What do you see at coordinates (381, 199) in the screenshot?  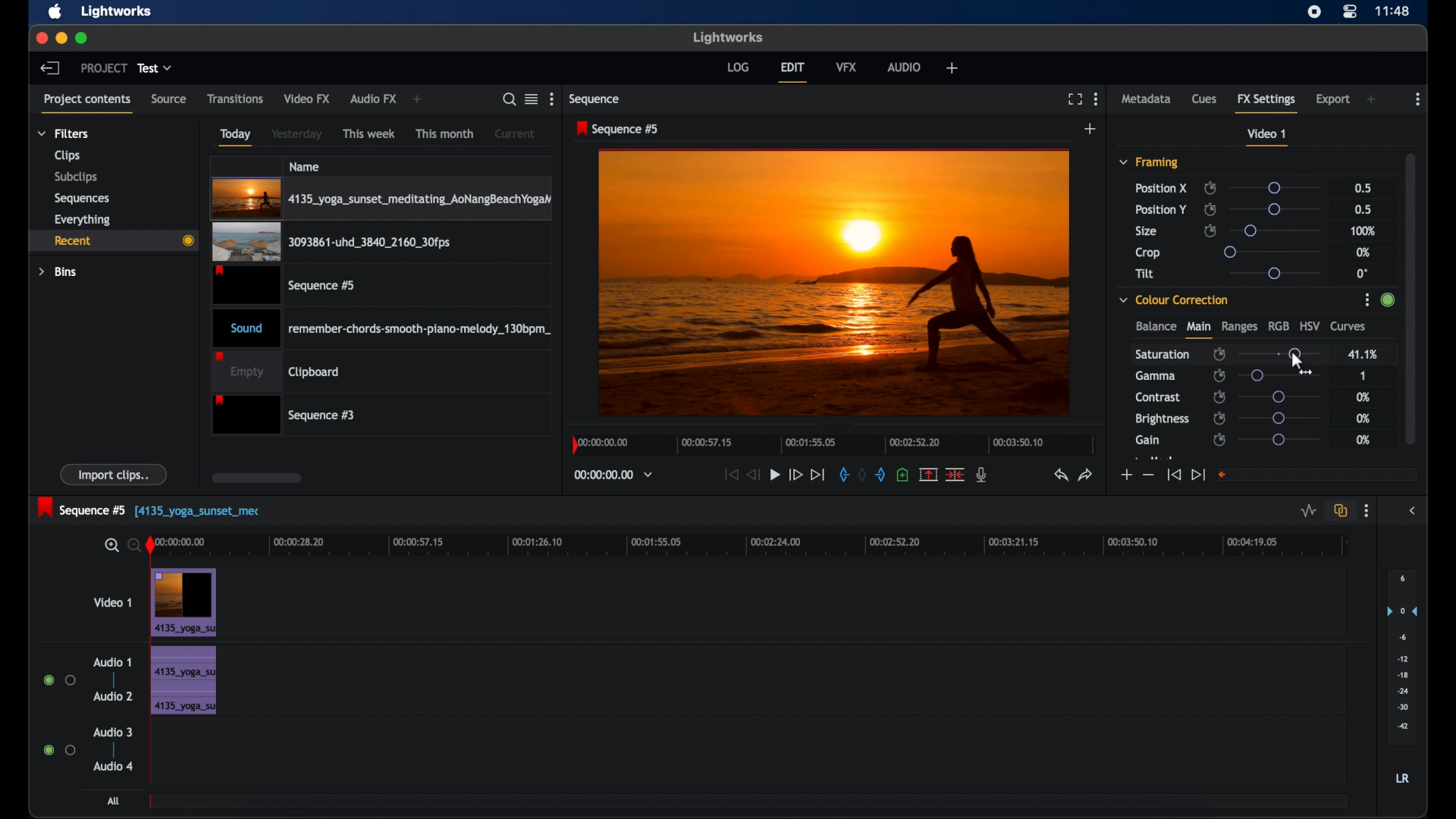 I see `video clip highlighted` at bounding box center [381, 199].